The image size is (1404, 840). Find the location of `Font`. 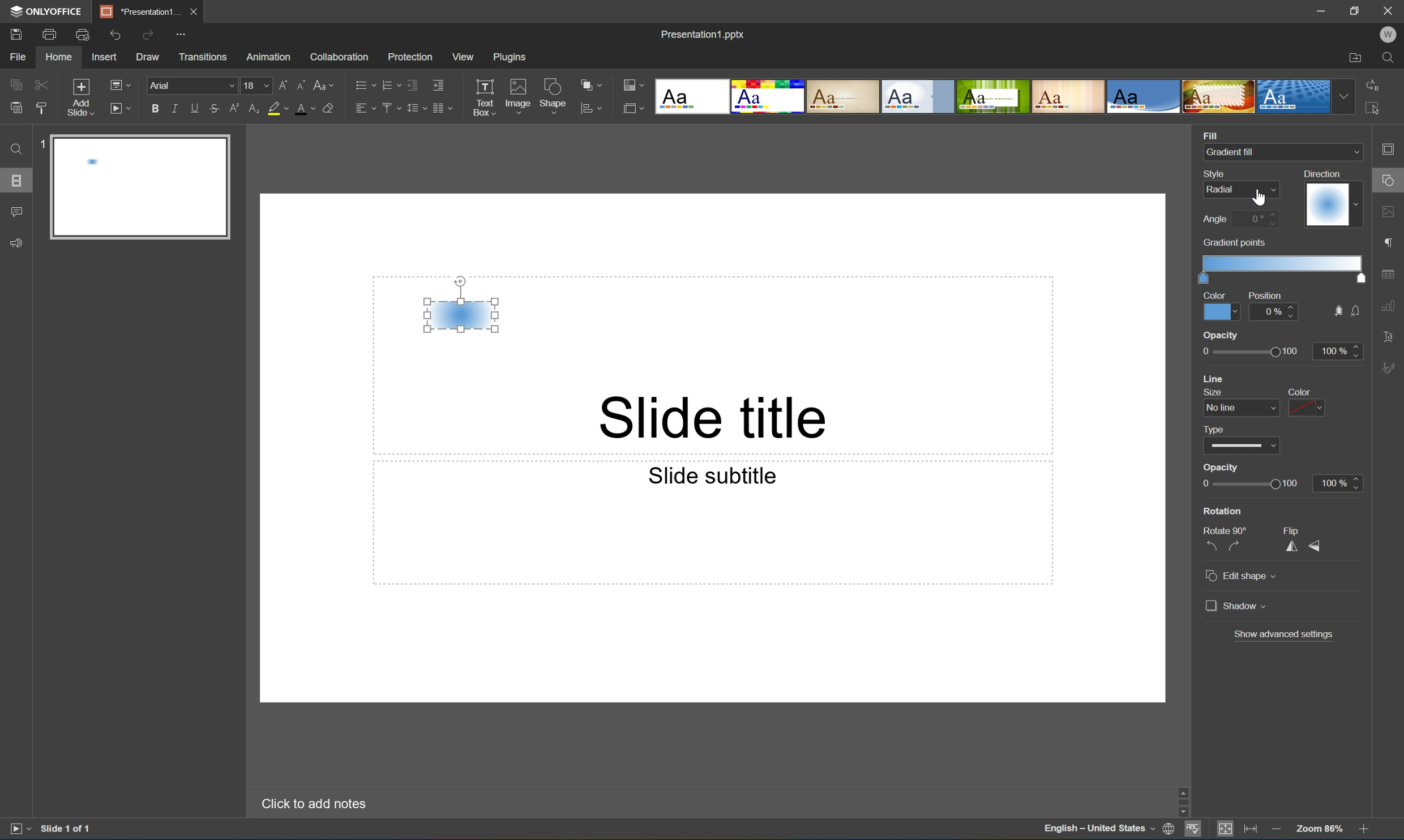

Font is located at coordinates (194, 86).